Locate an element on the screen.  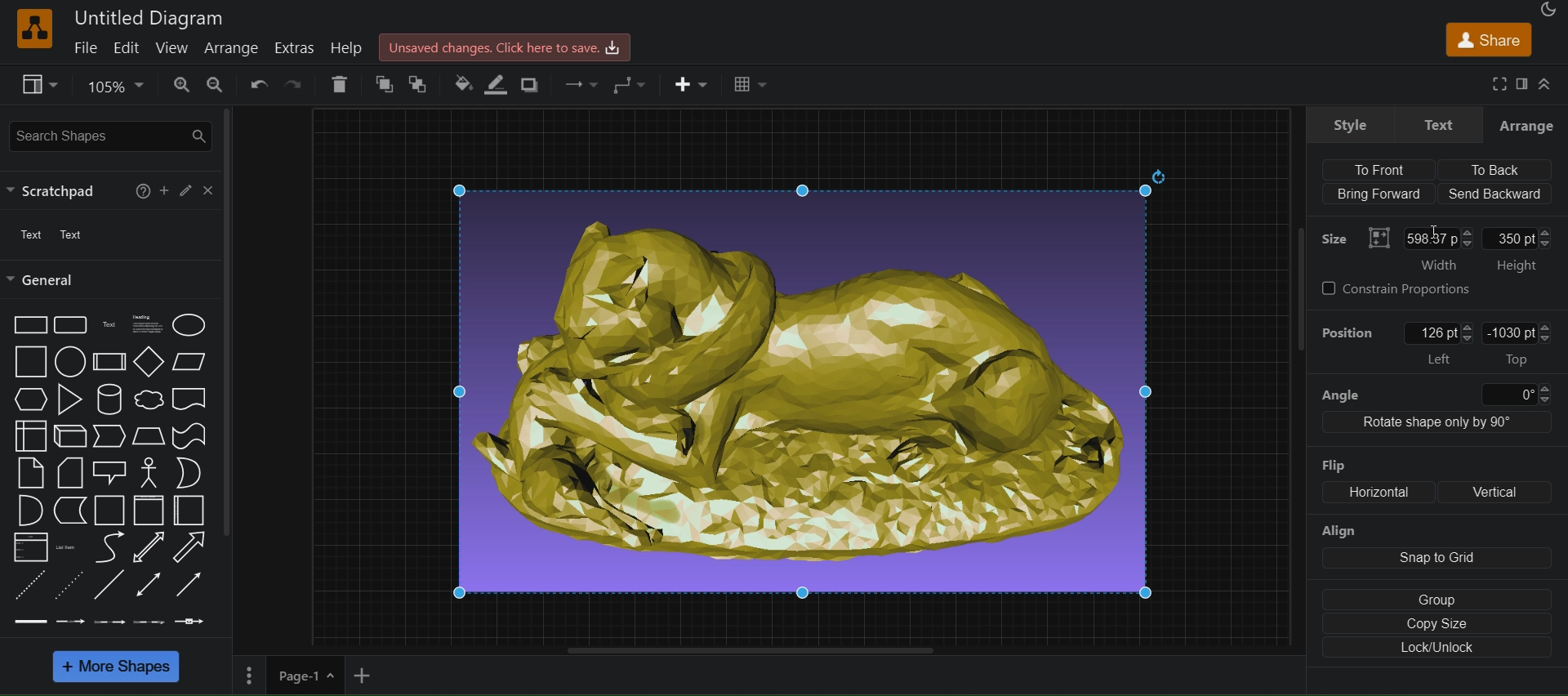
angle 0 degree is located at coordinates (1434, 392).